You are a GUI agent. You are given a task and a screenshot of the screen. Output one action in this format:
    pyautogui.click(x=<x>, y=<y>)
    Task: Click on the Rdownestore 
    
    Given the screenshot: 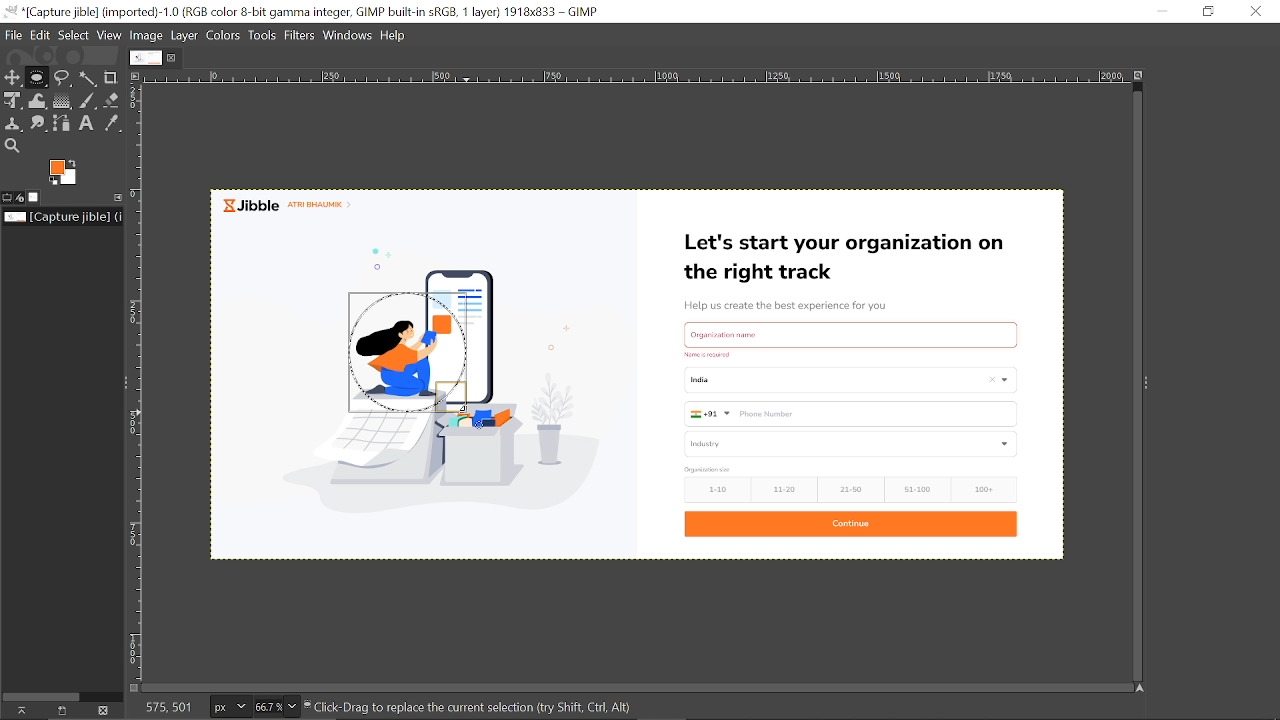 What is the action you would take?
    pyautogui.click(x=1210, y=11)
    